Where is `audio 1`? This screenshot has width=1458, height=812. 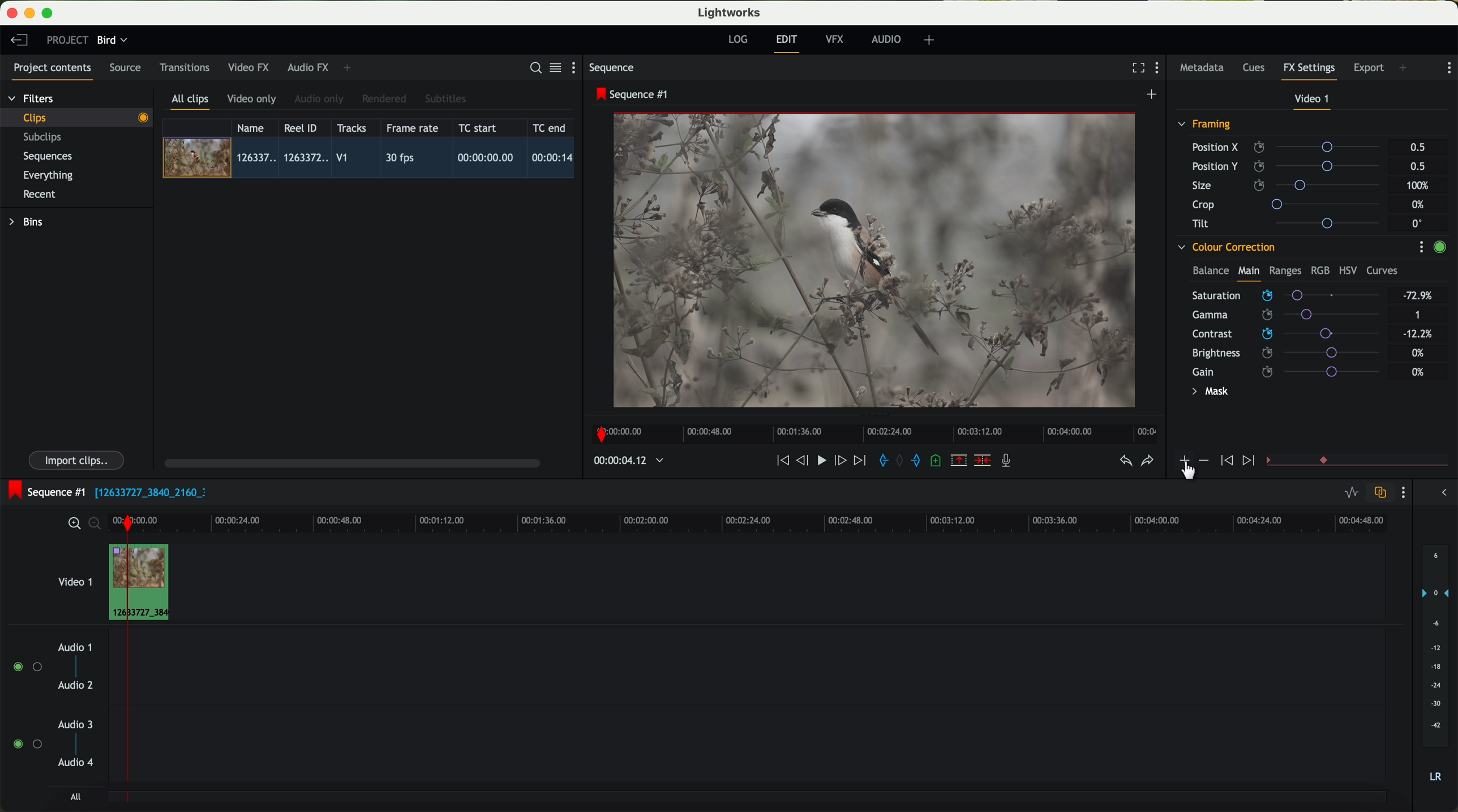 audio 1 is located at coordinates (75, 647).